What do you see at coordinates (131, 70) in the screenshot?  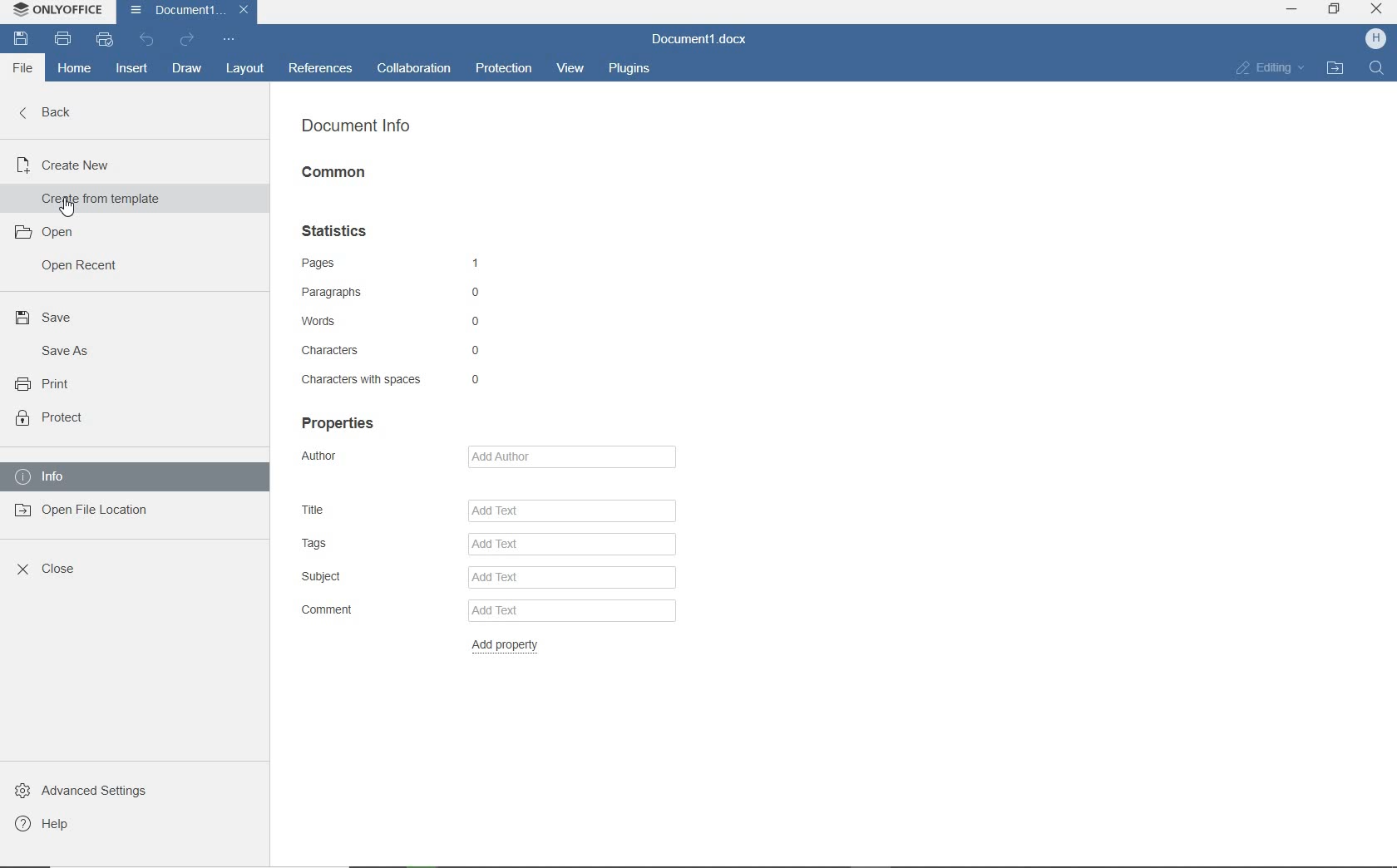 I see `insert` at bounding box center [131, 70].